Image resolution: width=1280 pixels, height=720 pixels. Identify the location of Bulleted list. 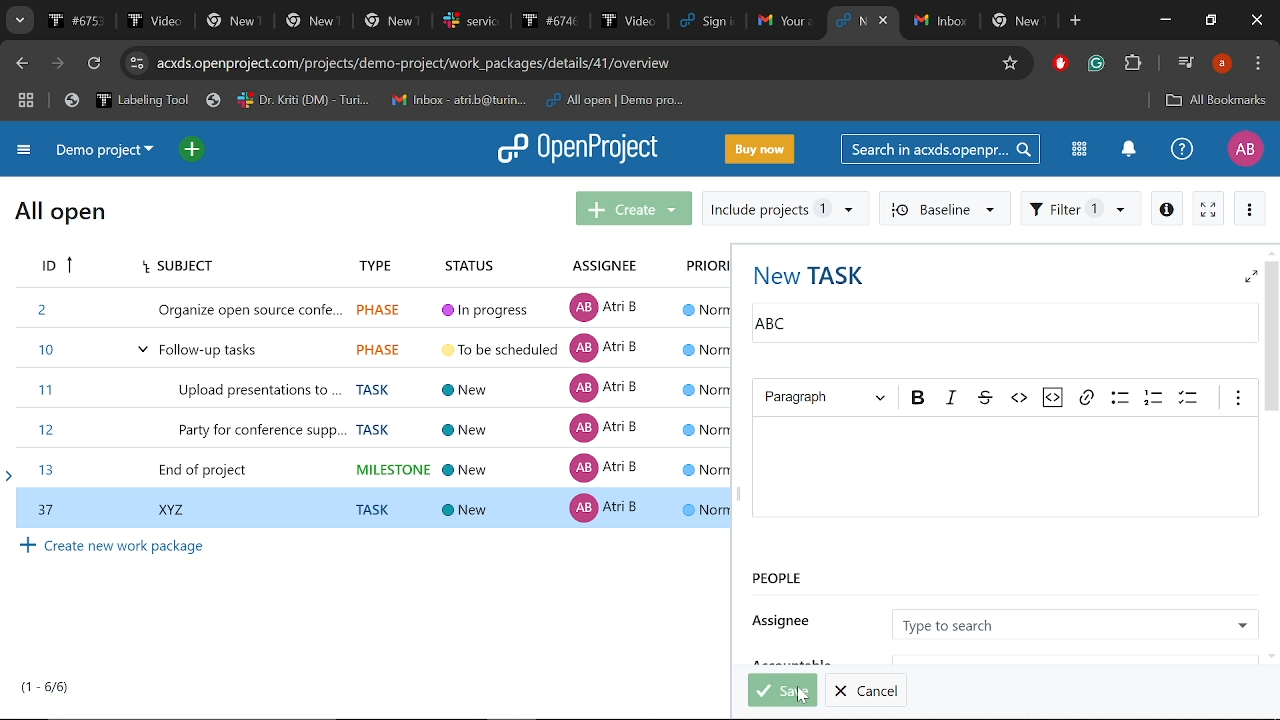
(1118, 397).